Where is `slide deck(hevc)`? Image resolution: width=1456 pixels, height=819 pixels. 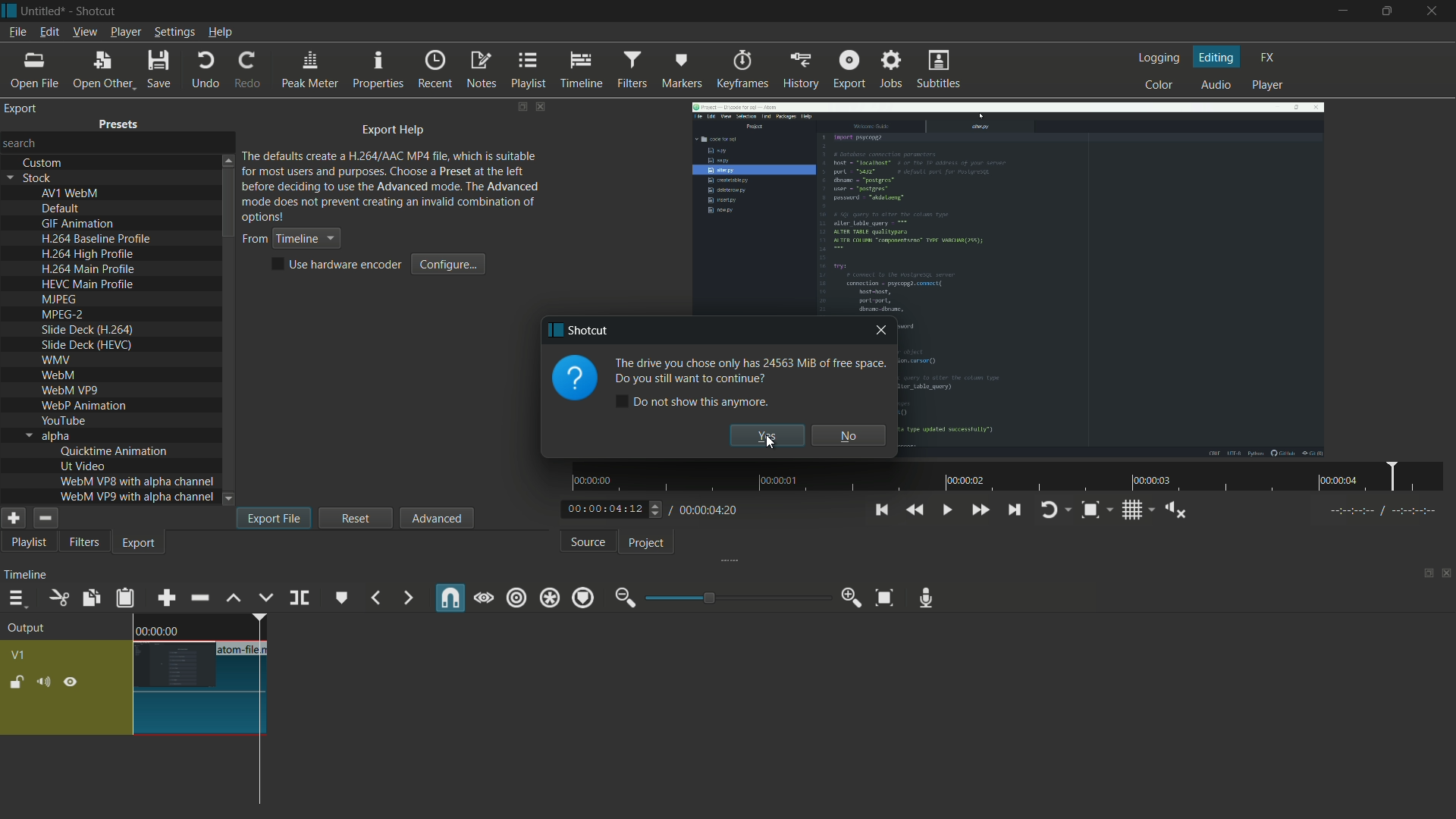 slide deck(hevc) is located at coordinates (86, 344).